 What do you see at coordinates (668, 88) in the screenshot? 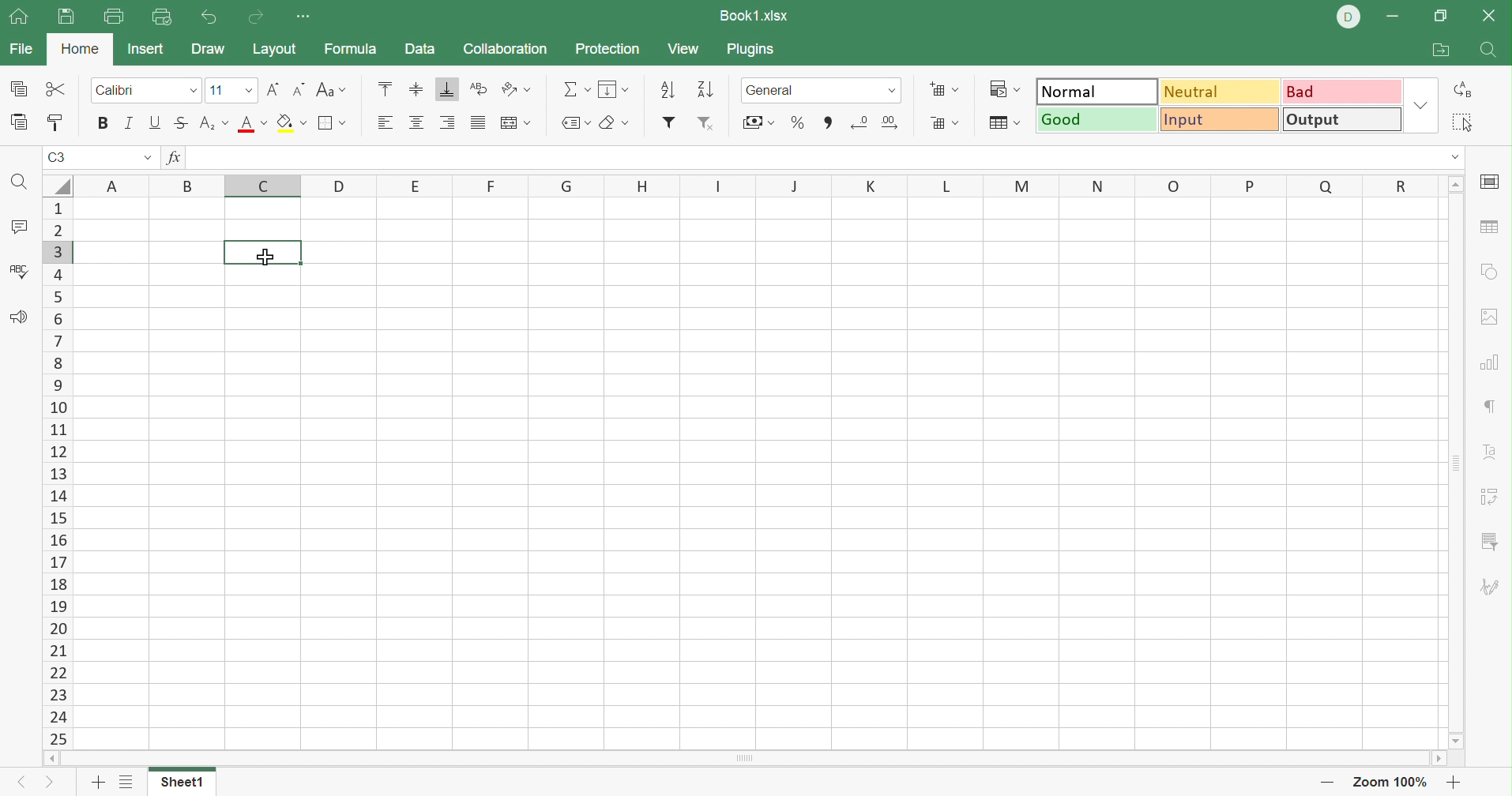
I see `Sort ascending` at bounding box center [668, 88].